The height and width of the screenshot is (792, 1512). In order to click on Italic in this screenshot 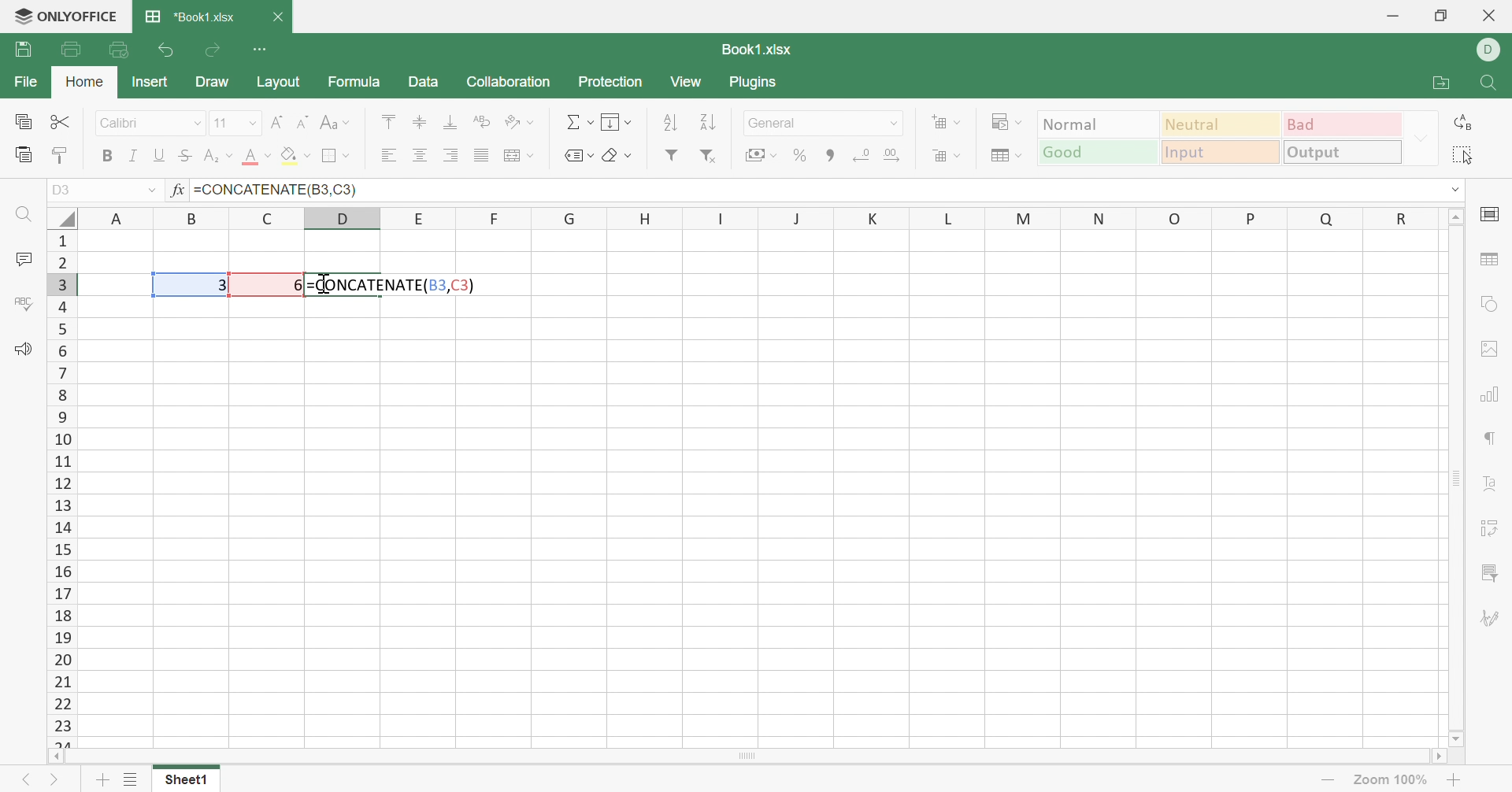, I will do `click(135, 157)`.